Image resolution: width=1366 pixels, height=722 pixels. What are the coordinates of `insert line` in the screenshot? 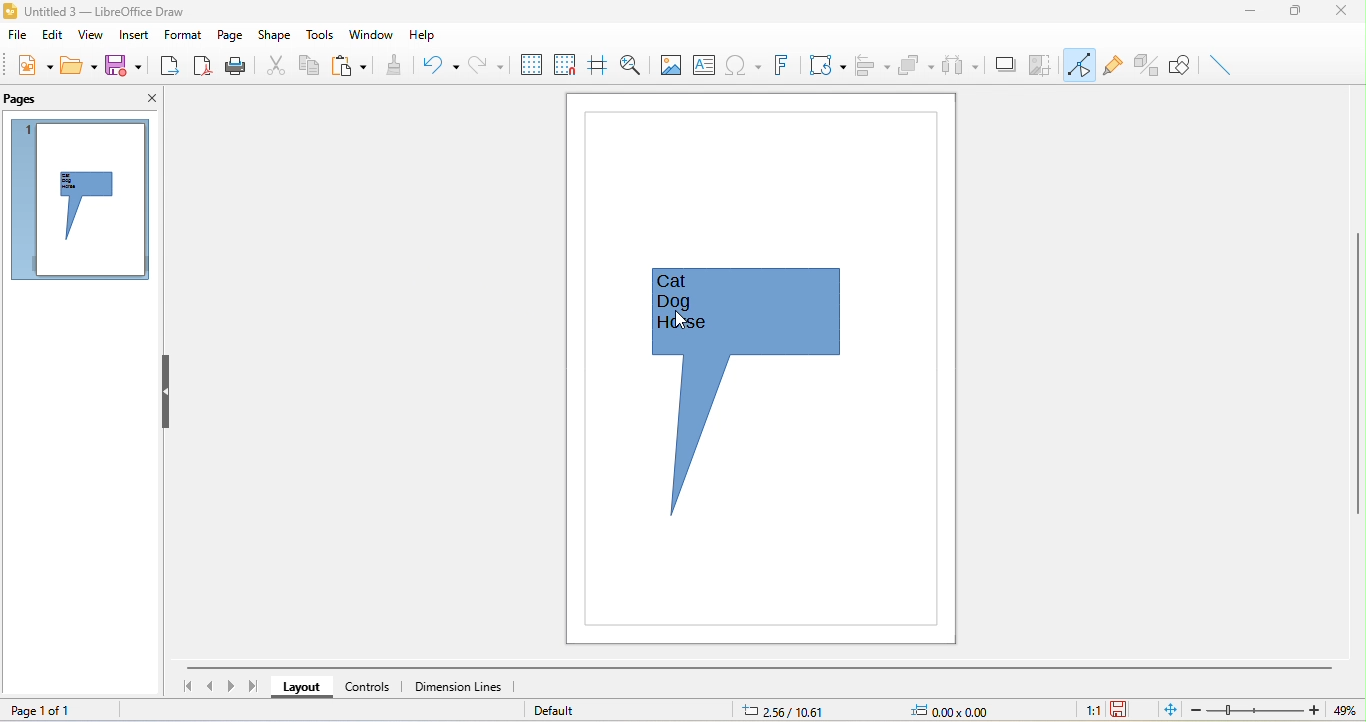 It's located at (1220, 63).